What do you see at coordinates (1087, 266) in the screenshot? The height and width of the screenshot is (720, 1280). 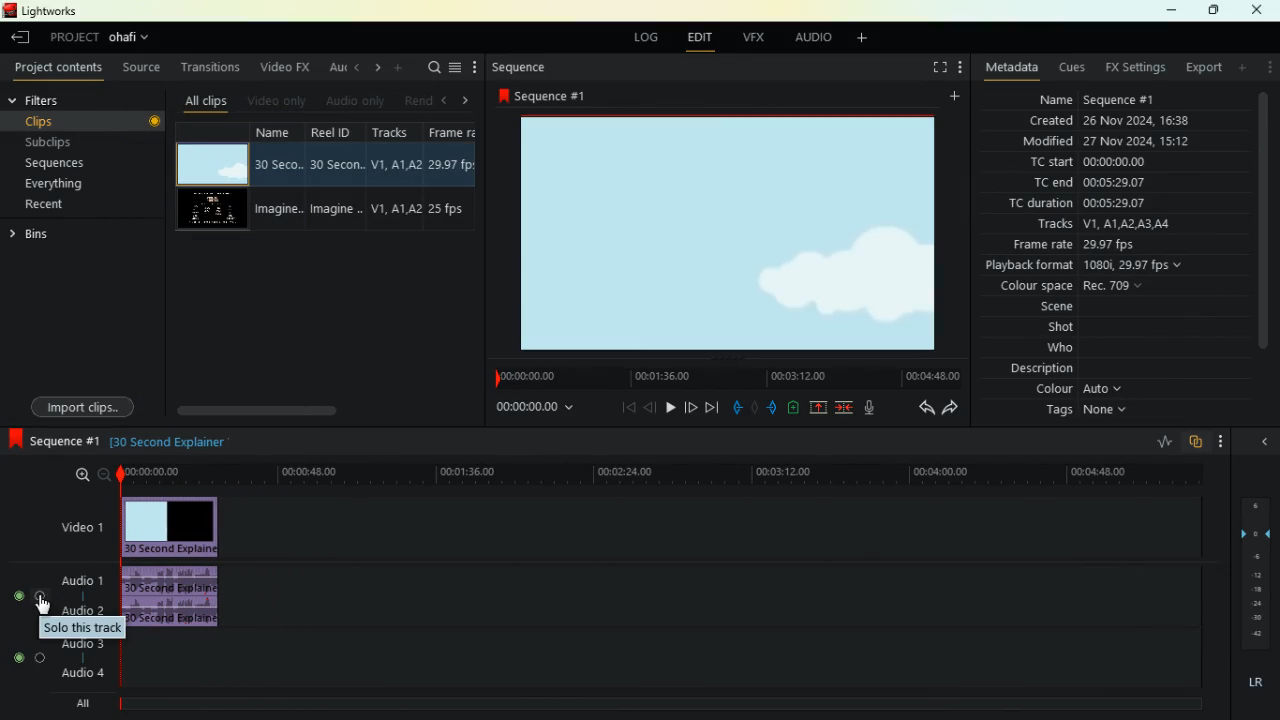 I see `playback format` at bounding box center [1087, 266].